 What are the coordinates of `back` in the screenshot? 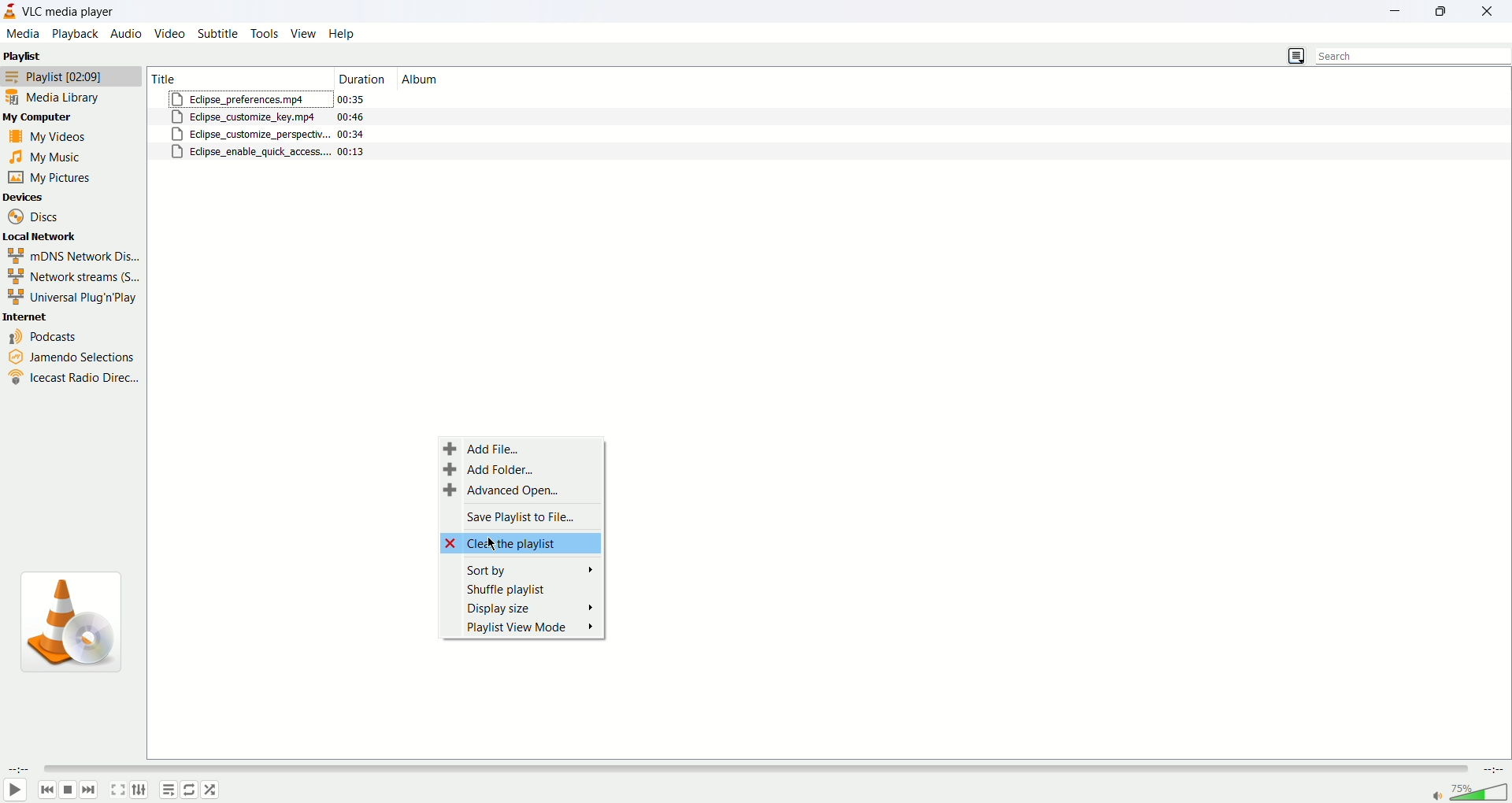 It's located at (46, 790).